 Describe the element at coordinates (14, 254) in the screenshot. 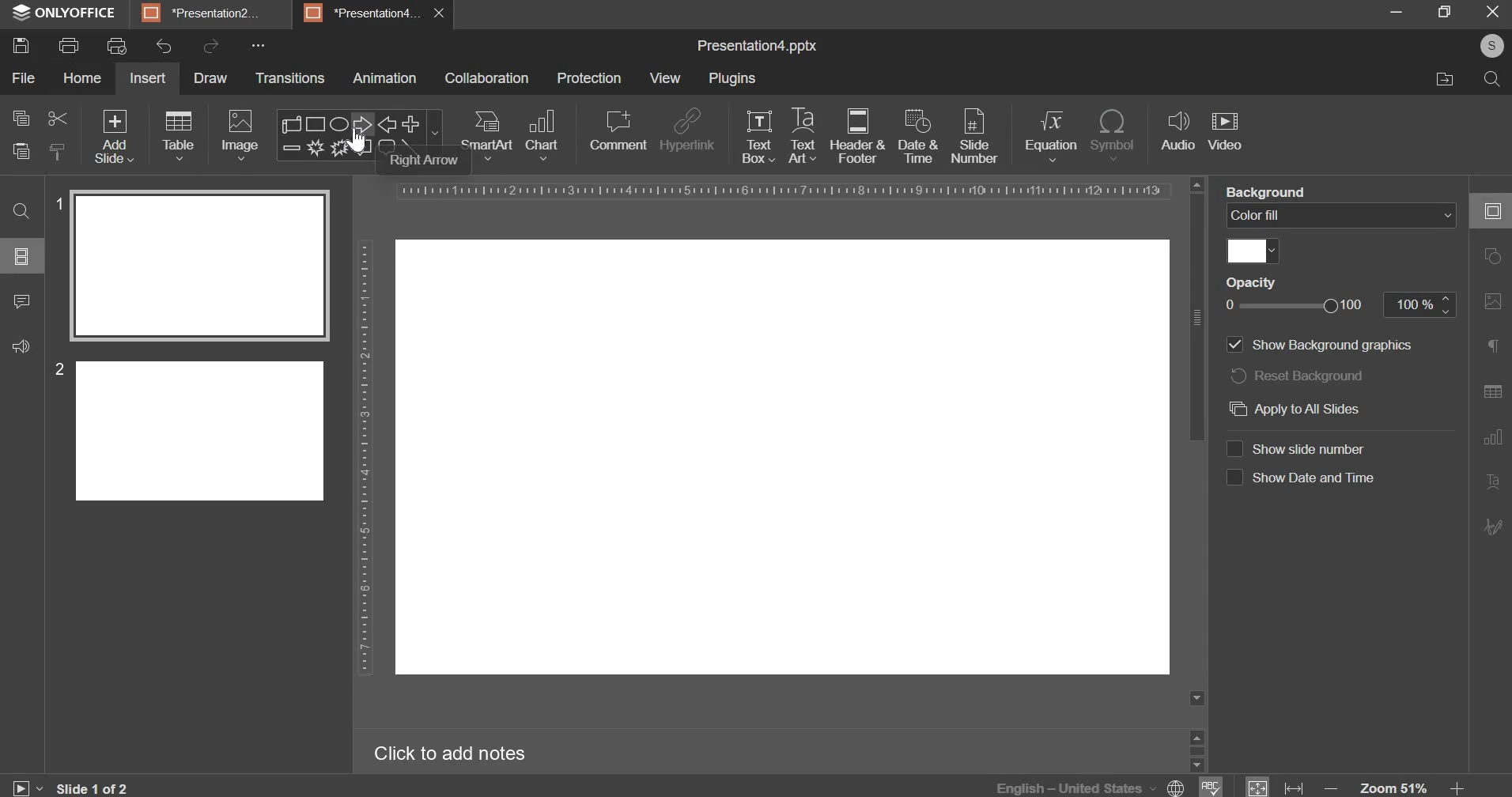

I see `options` at that location.